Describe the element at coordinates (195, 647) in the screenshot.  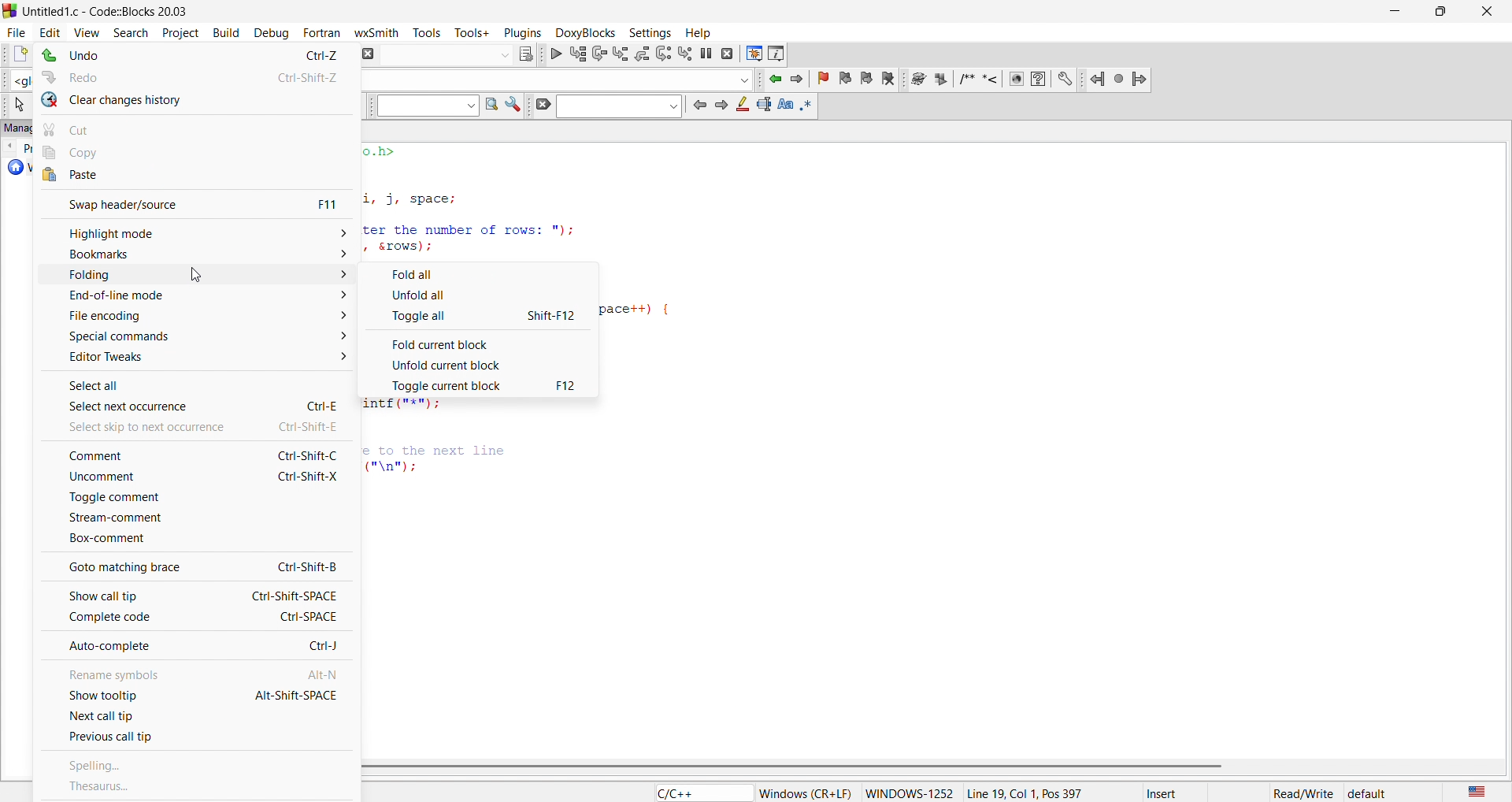
I see `auto complete` at that location.